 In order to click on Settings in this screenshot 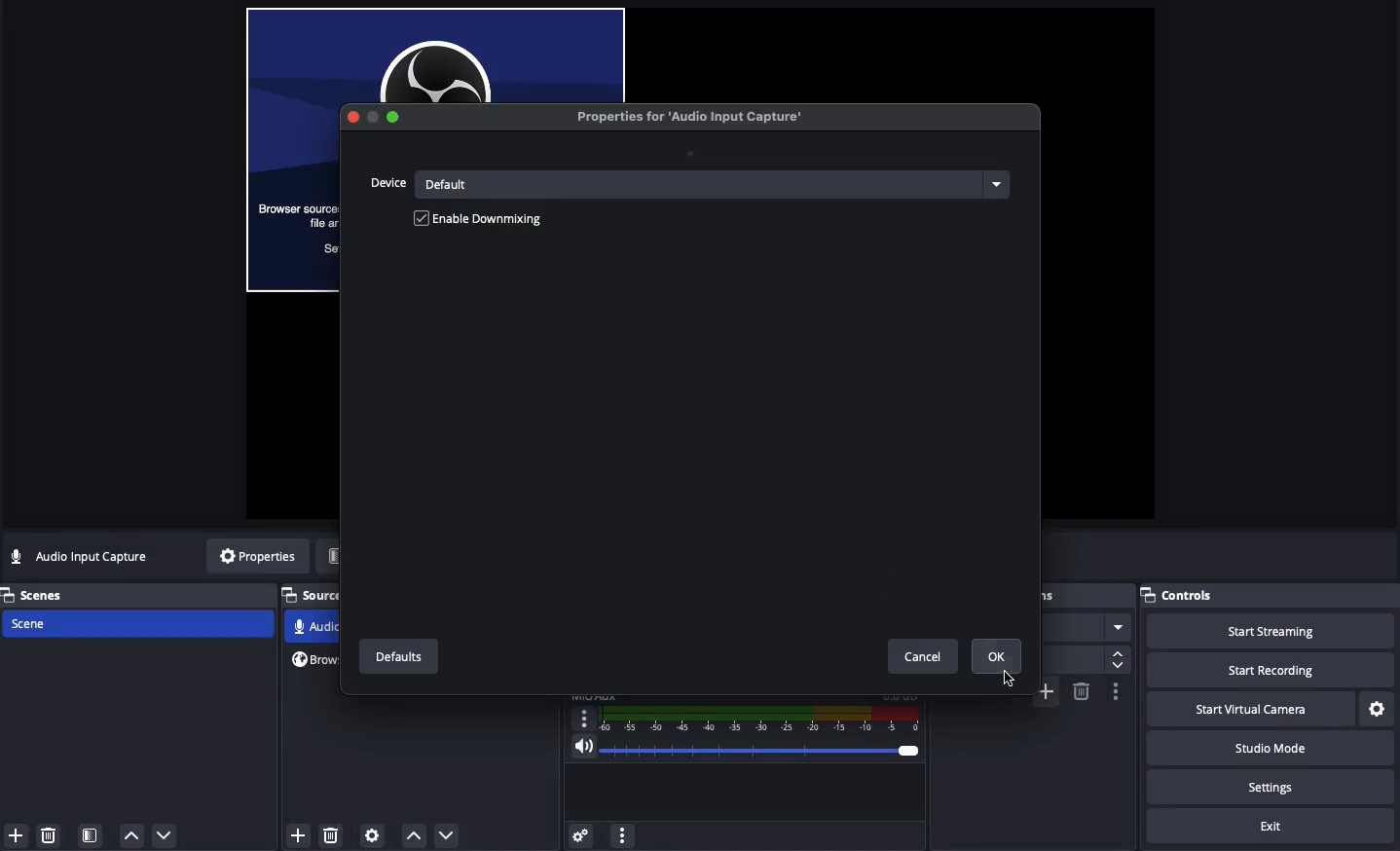, I will do `click(1378, 710)`.